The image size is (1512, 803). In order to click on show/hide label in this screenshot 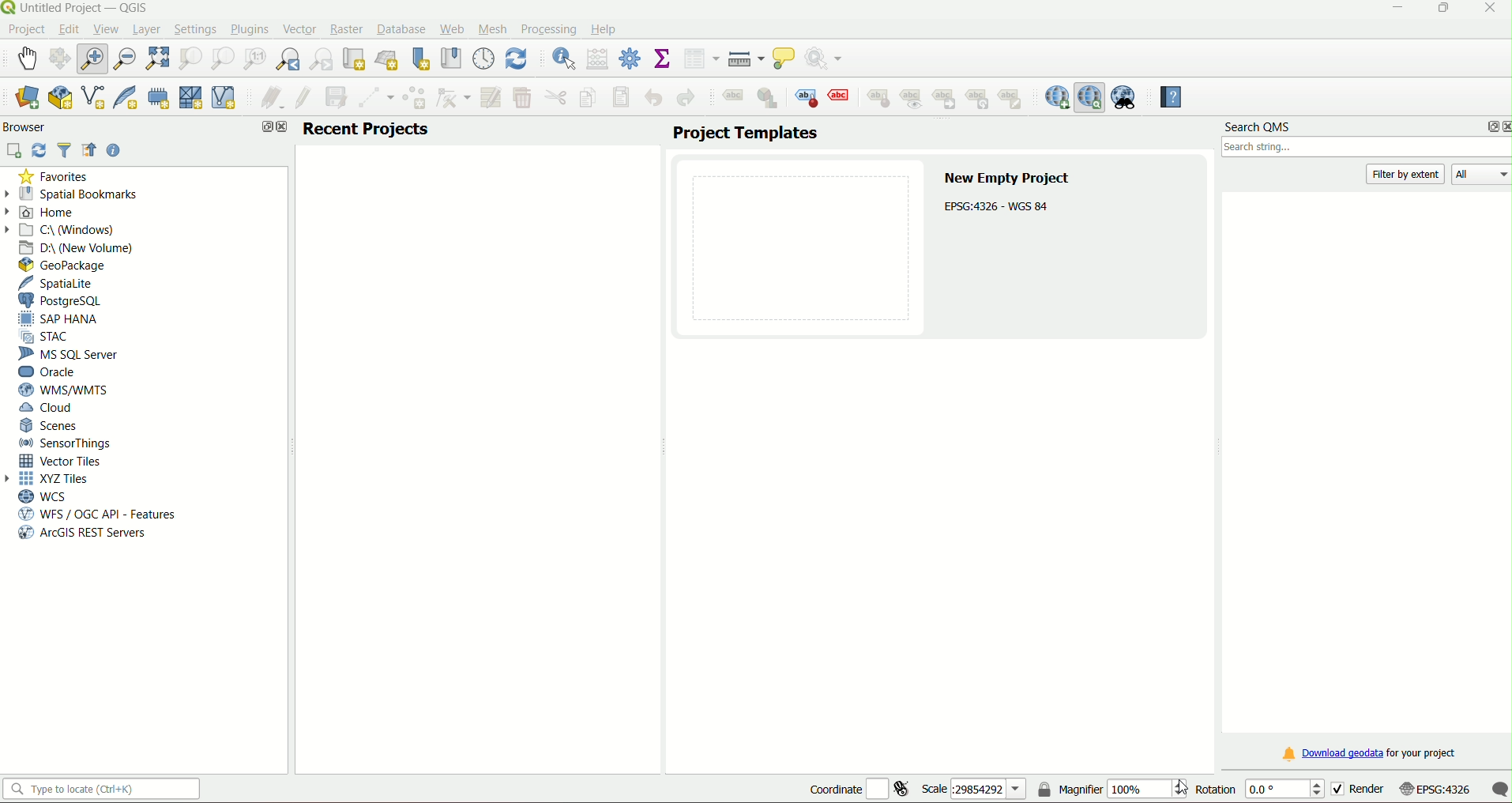, I will do `click(913, 100)`.